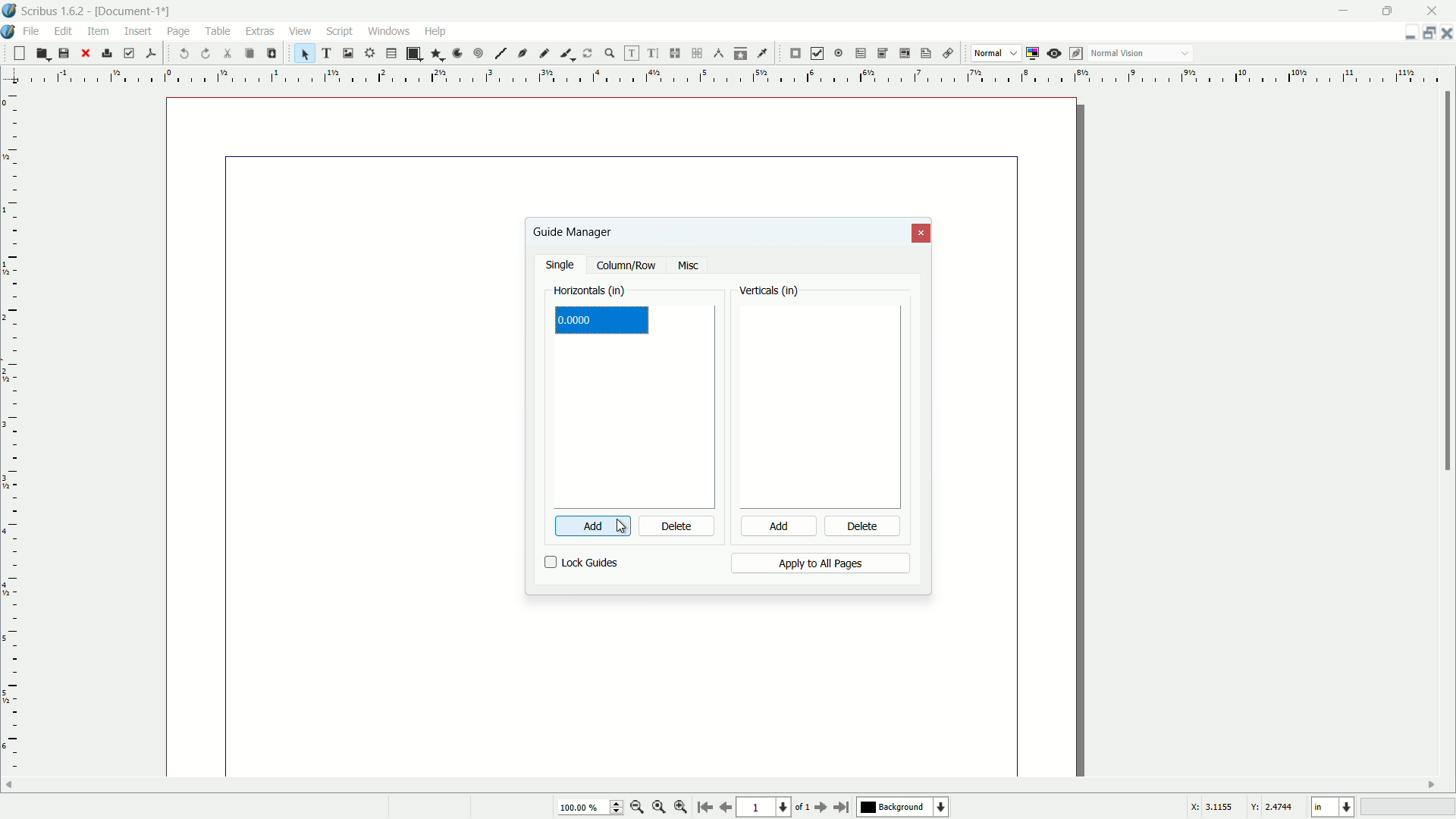 The width and height of the screenshot is (1456, 819). I want to click on measurements, so click(719, 54).